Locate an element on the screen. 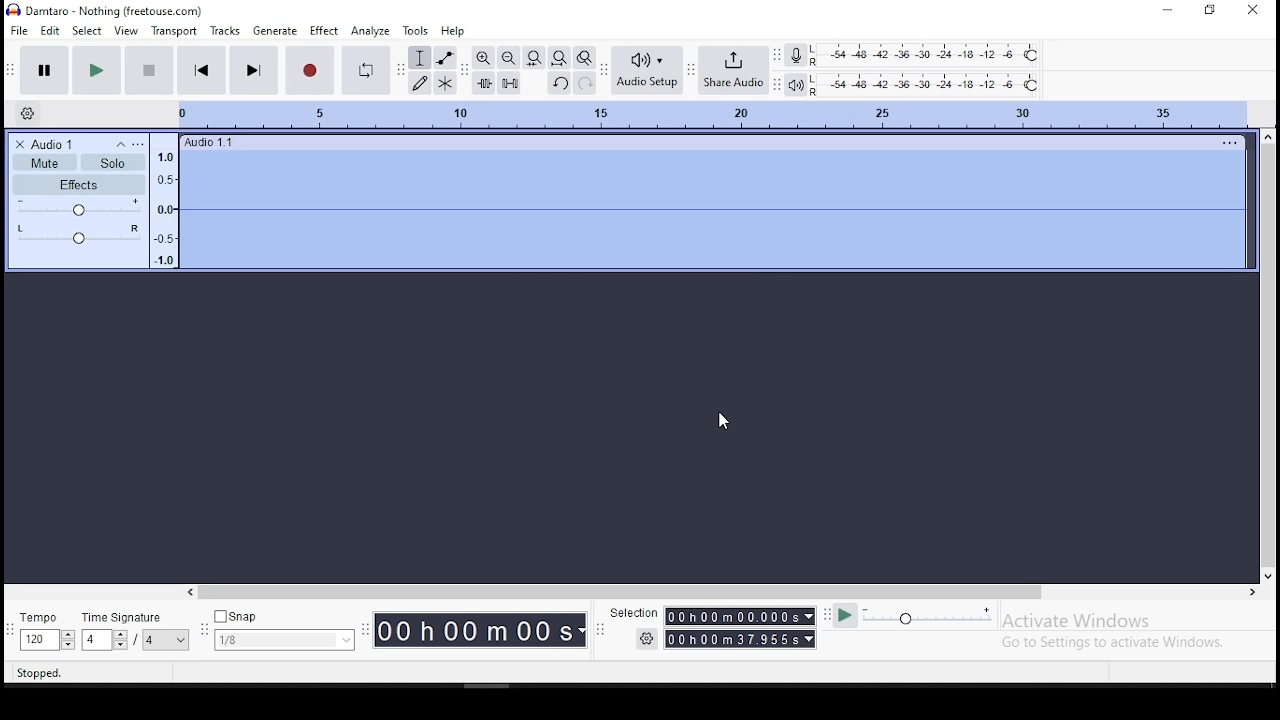 The width and height of the screenshot is (1280, 720). minimize is located at coordinates (1167, 11).